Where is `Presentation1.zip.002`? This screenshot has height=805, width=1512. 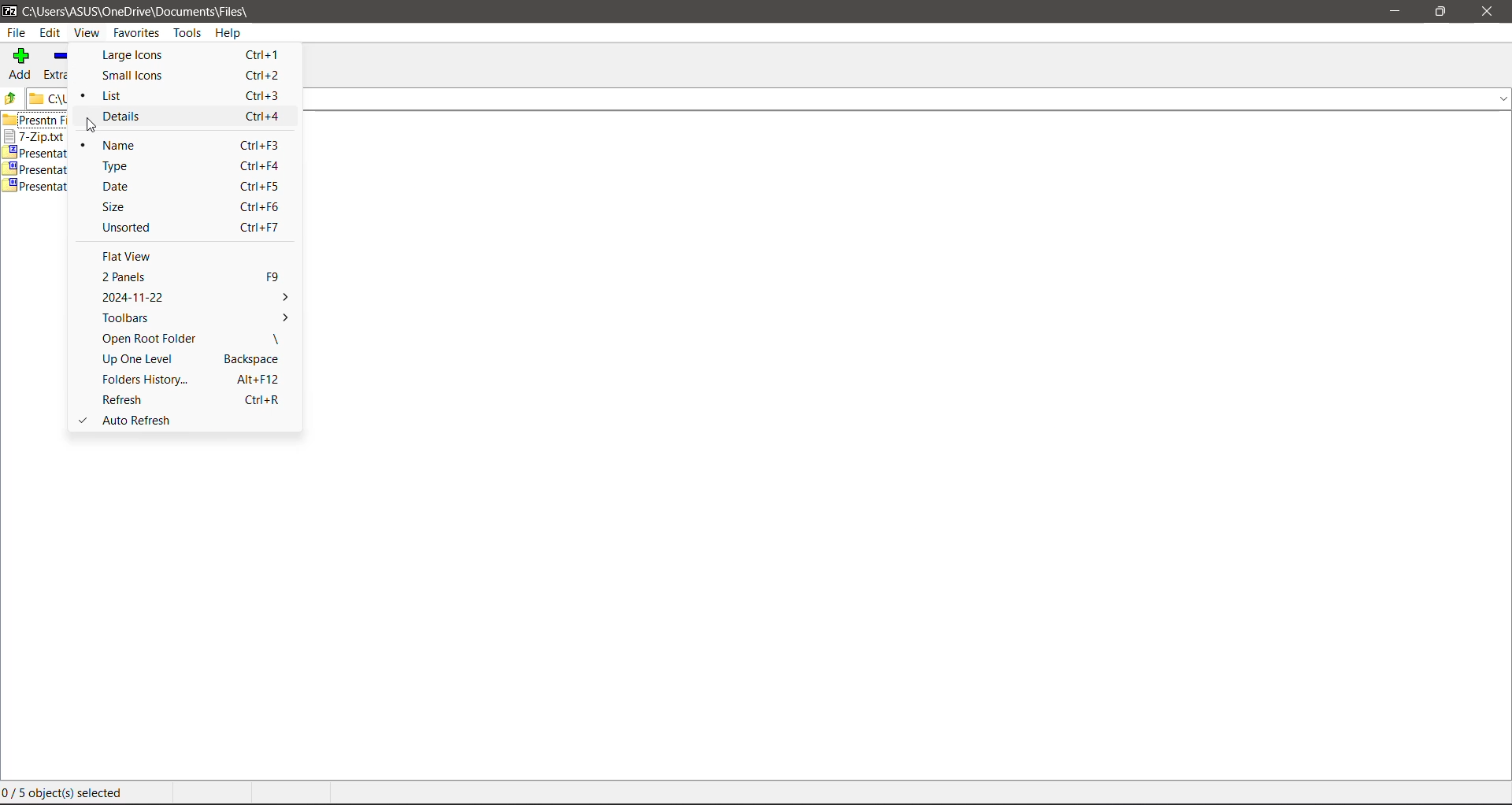 Presentation1.zip.002 is located at coordinates (46, 187).